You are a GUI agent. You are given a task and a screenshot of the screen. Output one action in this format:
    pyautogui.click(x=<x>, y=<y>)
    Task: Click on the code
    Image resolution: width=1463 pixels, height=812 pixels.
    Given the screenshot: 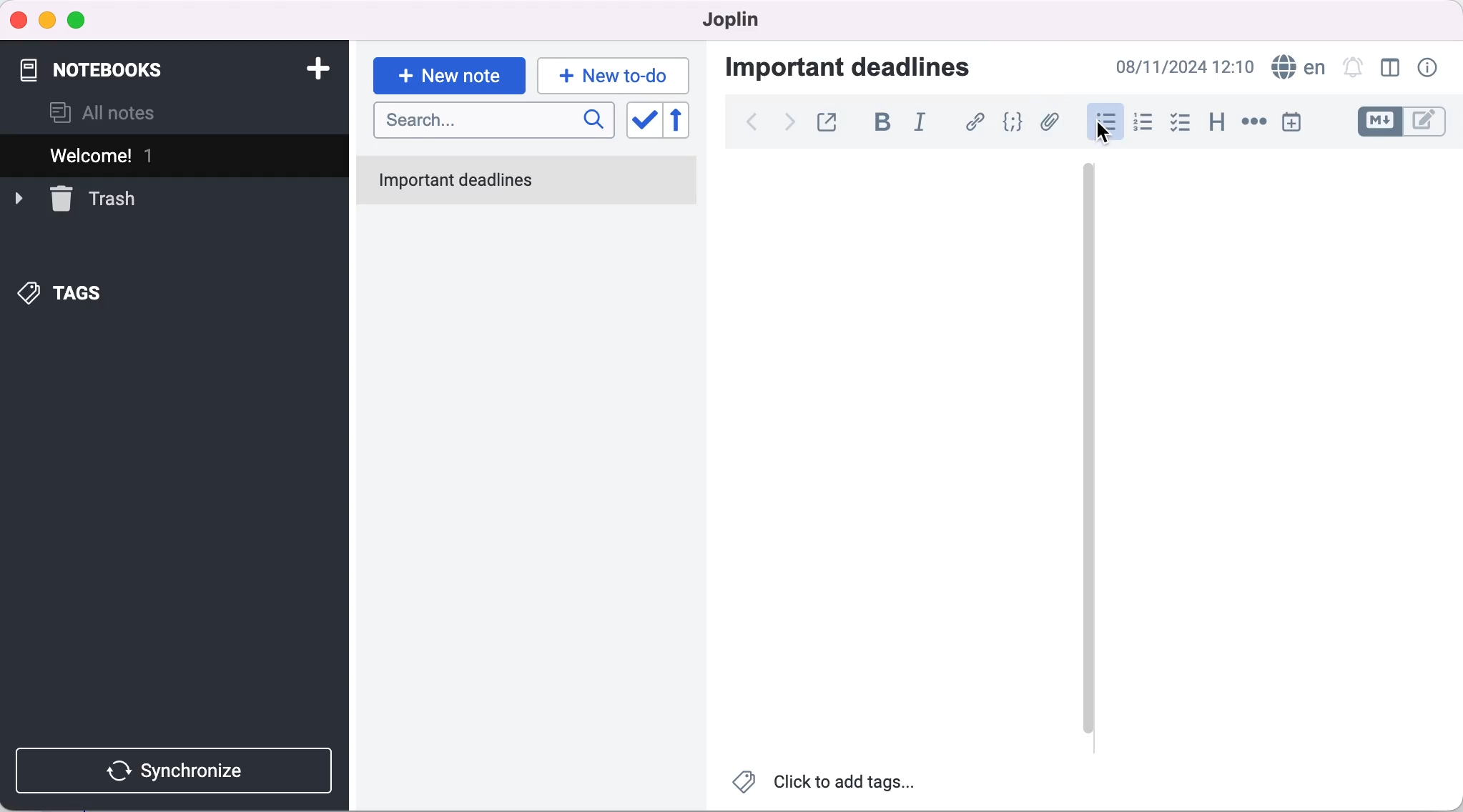 What is the action you would take?
    pyautogui.click(x=1013, y=123)
    